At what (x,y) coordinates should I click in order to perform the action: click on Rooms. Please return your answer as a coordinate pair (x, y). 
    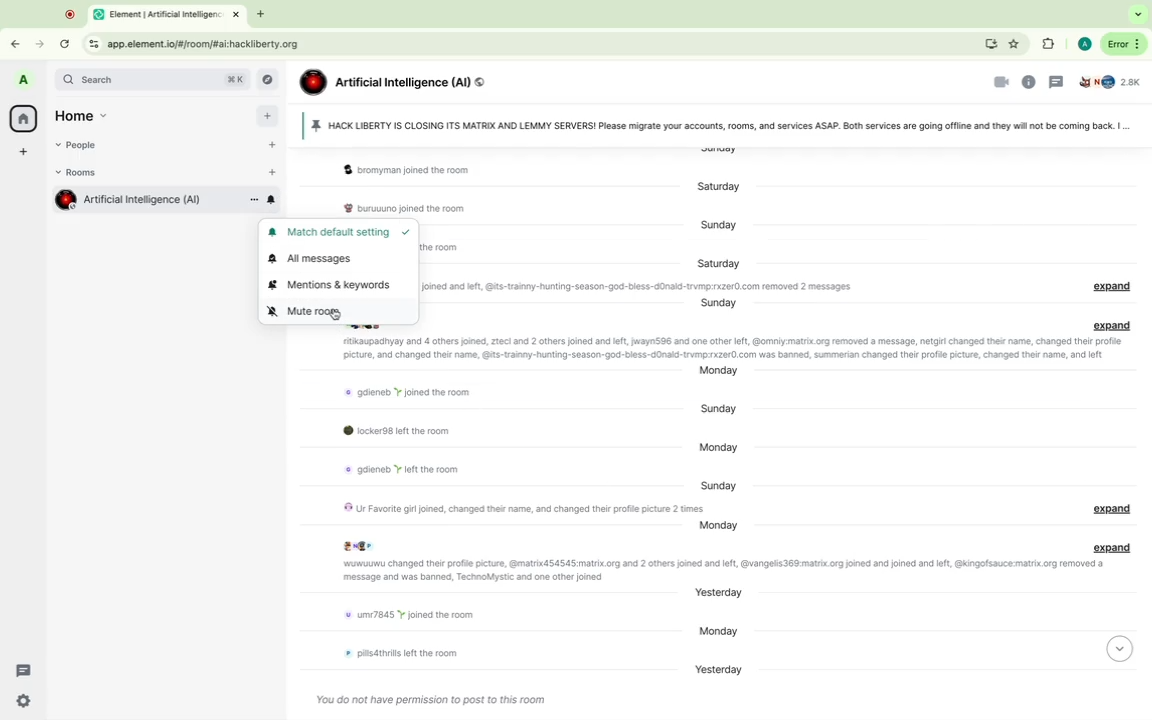
    Looking at the image, I should click on (82, 173).